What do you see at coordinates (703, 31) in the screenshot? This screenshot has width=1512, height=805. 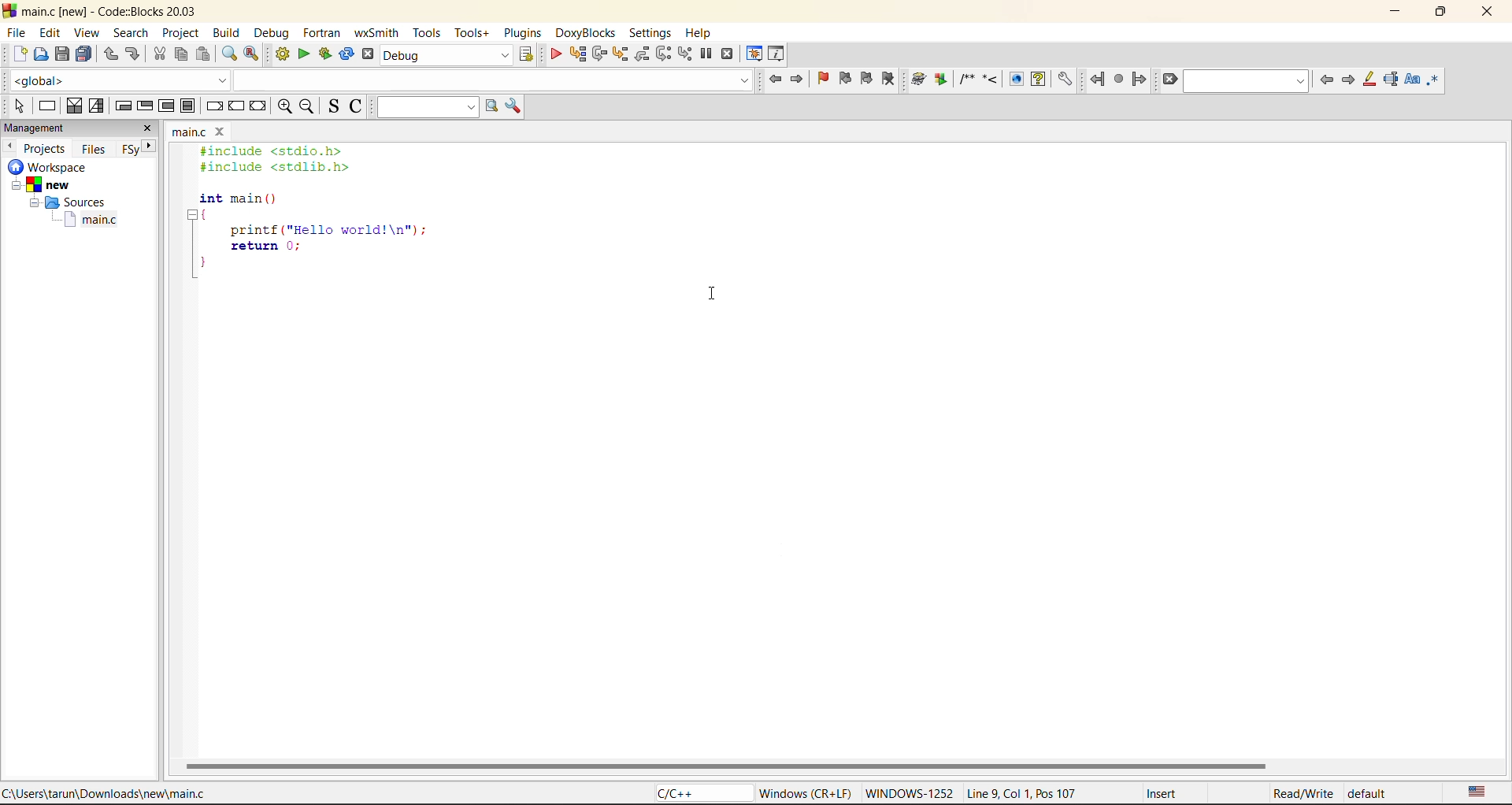 I see `help` at bounding box center [703, 31].